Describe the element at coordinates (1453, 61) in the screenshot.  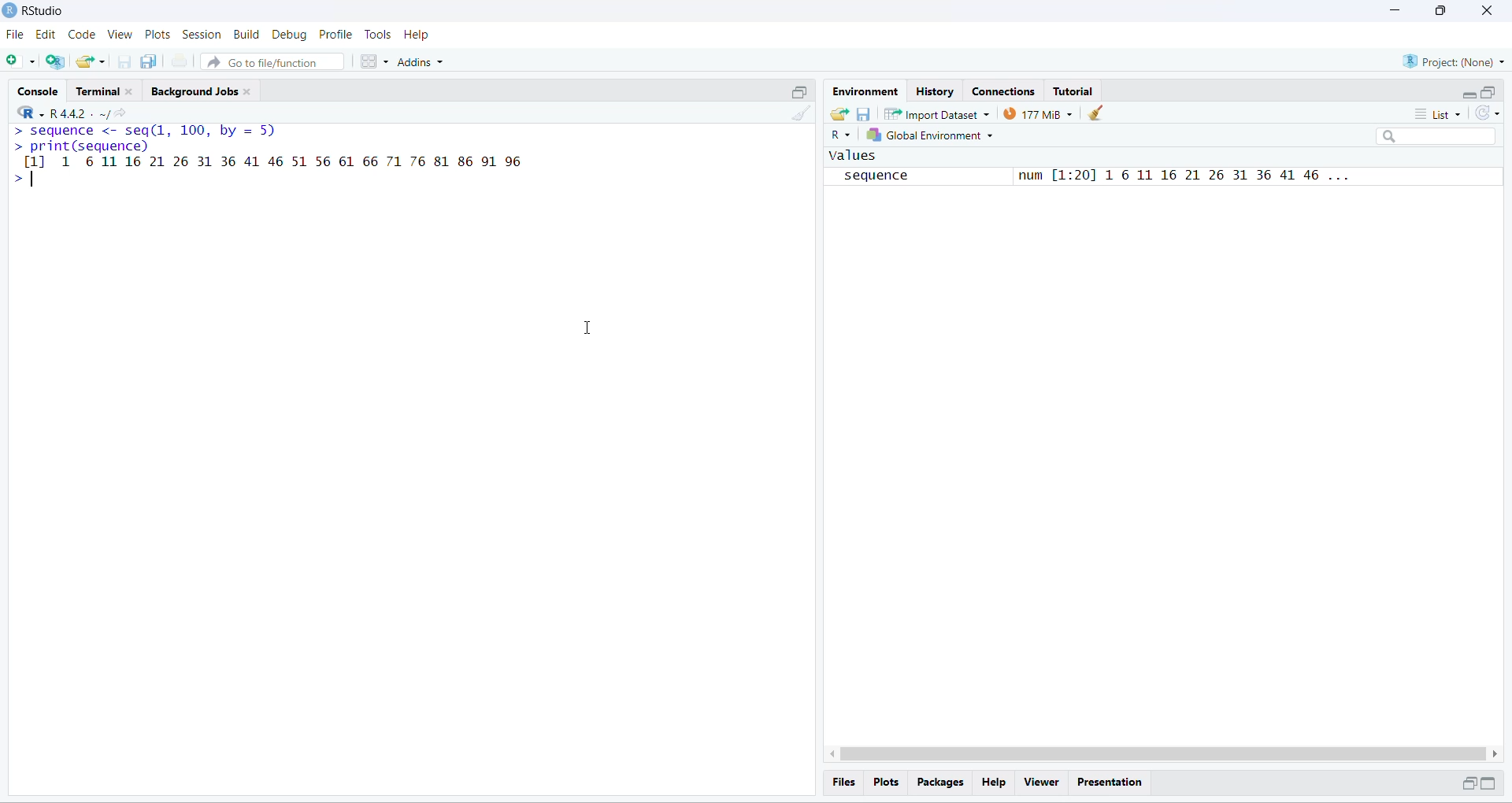
I see `project (none)` at that location.